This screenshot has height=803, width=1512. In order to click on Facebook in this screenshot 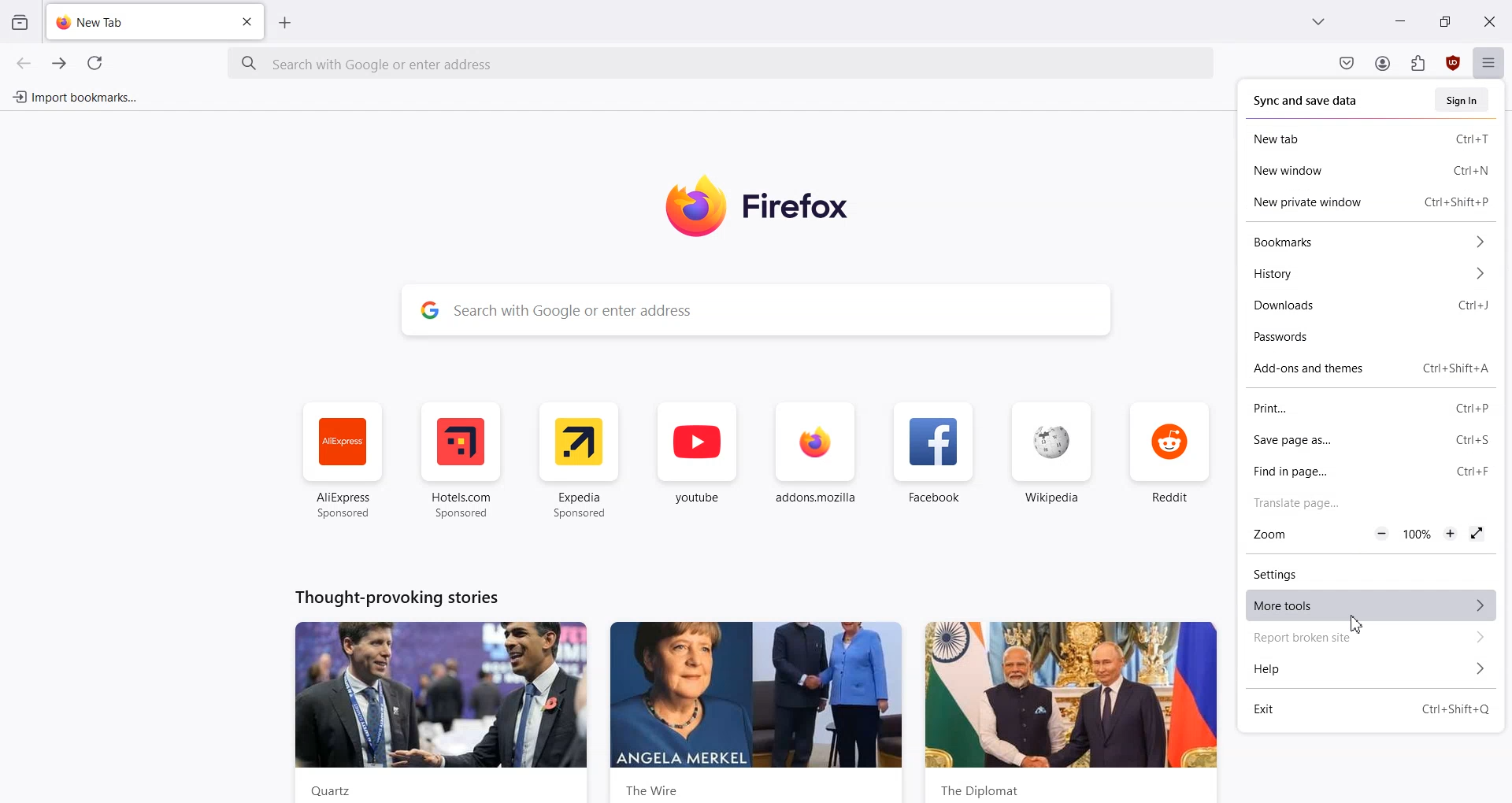, I will do `click(935, 461)`.